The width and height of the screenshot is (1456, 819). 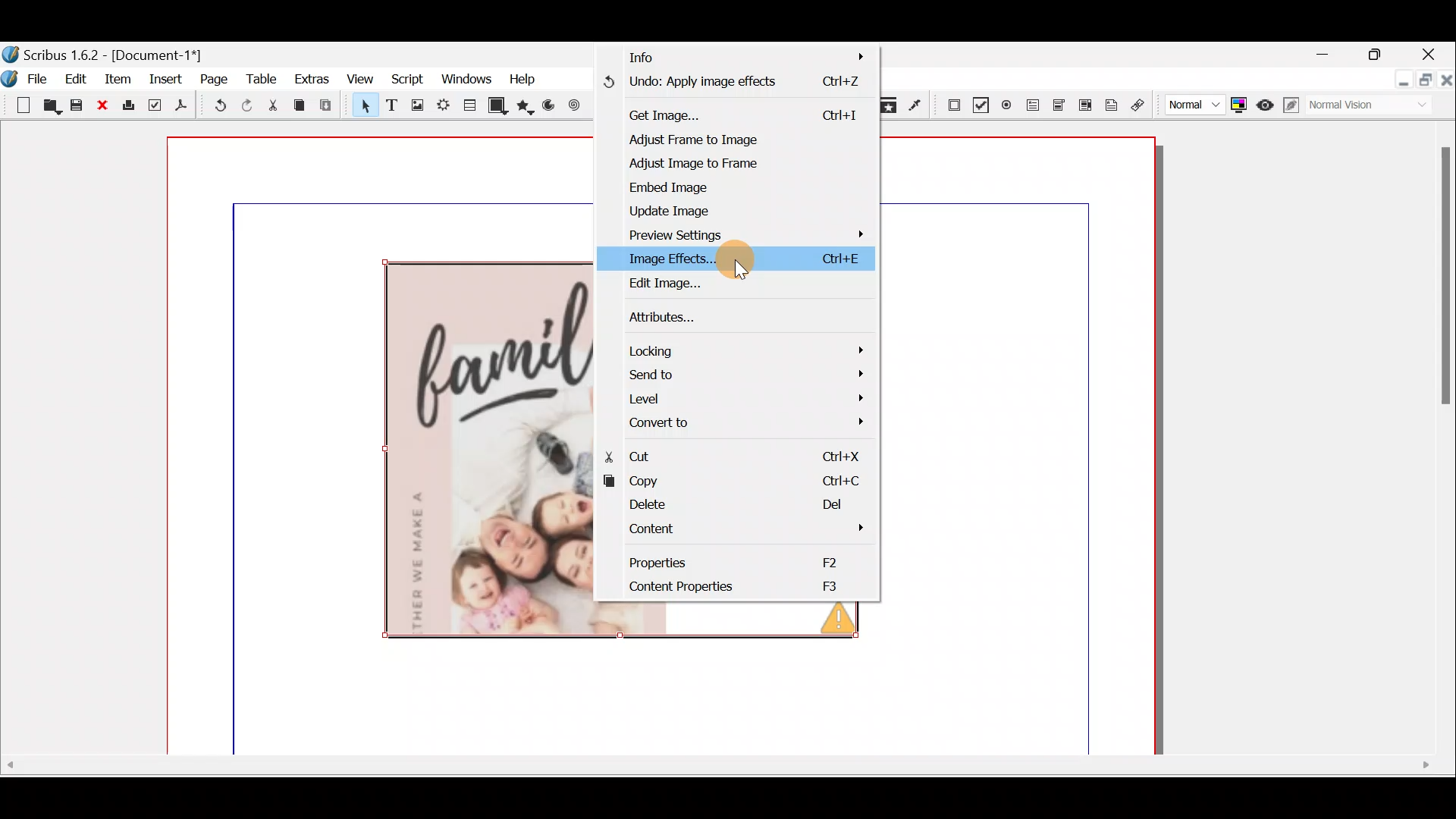 What do you see at coordinates (1238, 106) in the screenshot?
I see `Toggle colour management system` at bounding box center [1238, 106].